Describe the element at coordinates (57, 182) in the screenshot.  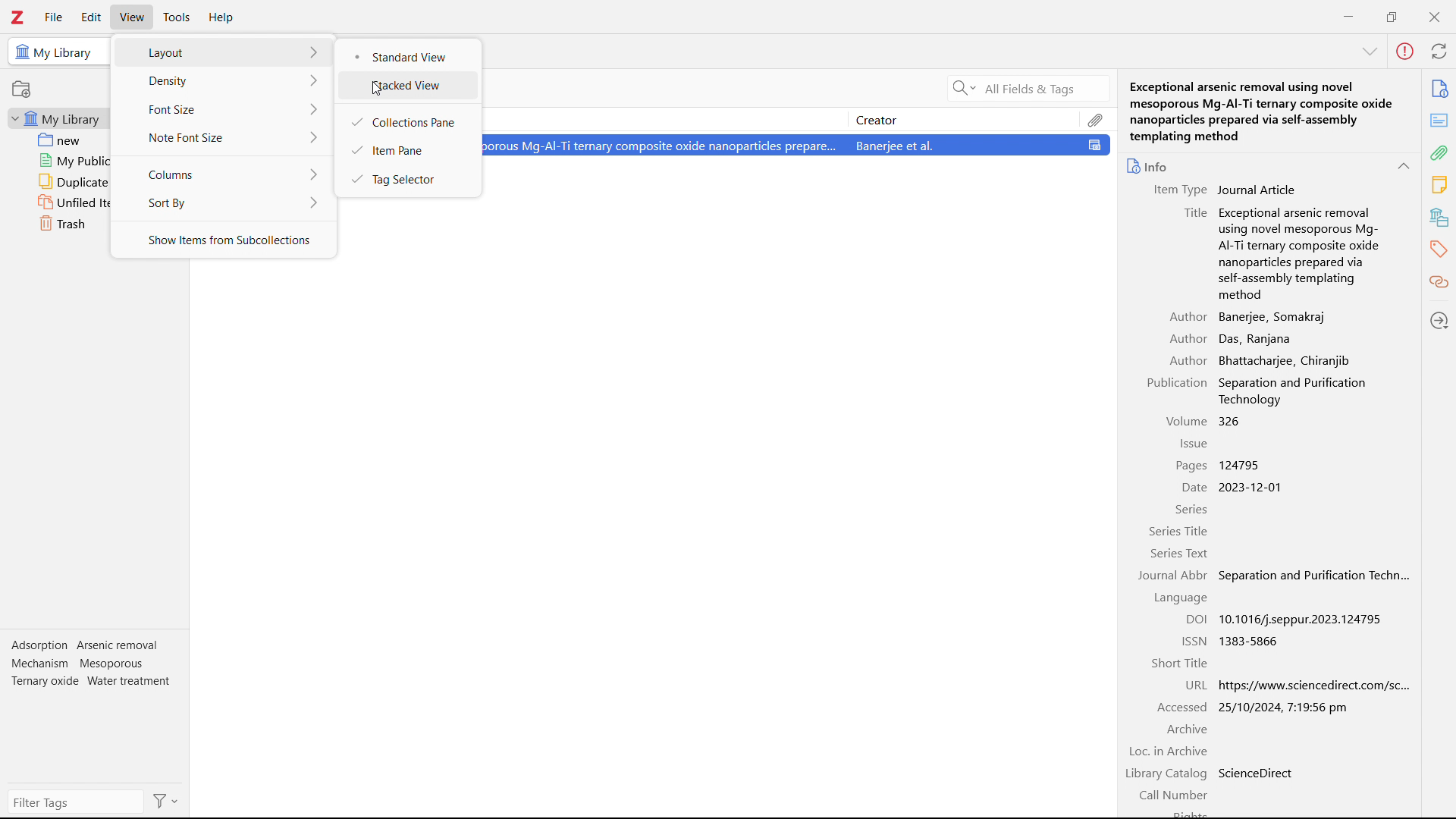
I see `duplicate items` at that location.